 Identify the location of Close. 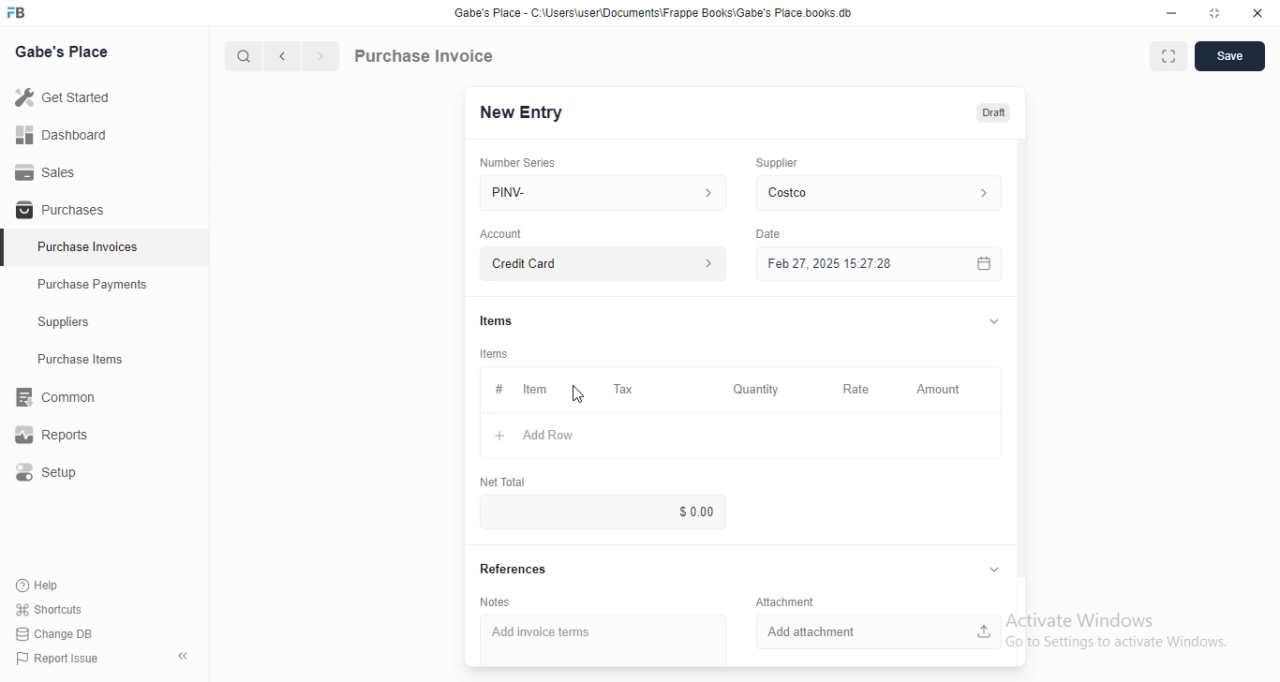
(1258, 13).